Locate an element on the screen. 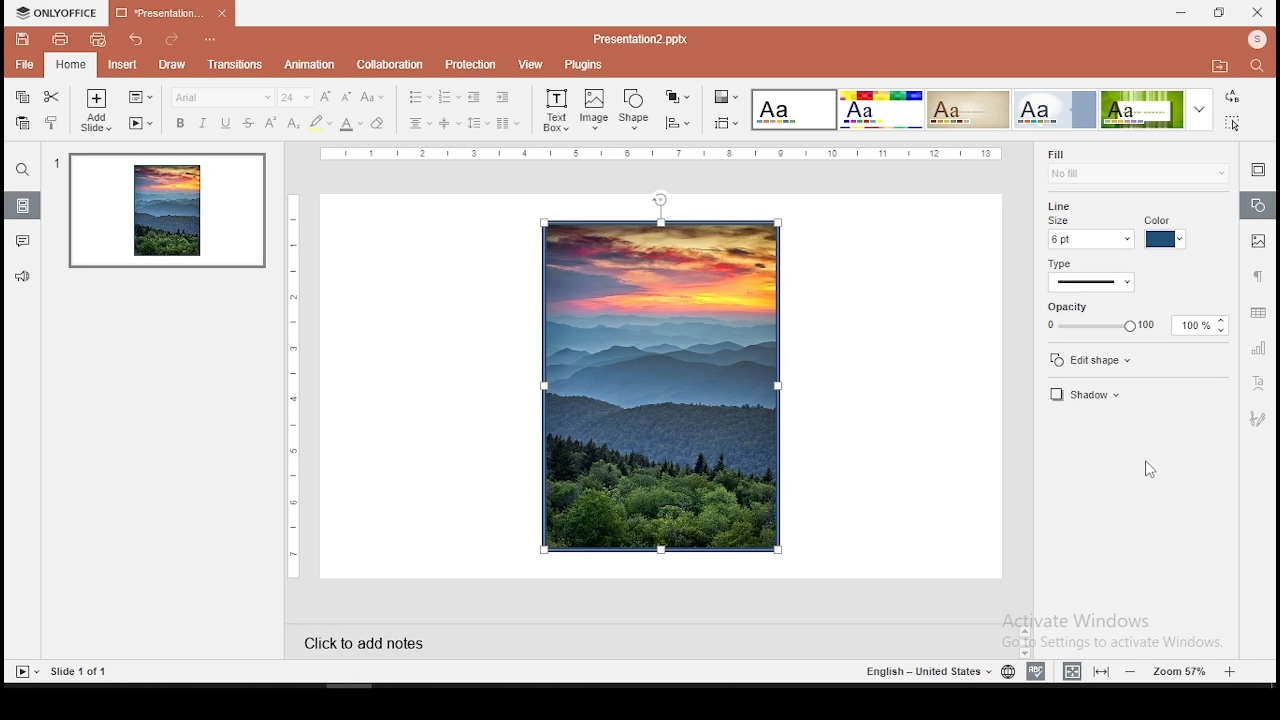 The width and height of the screenshot is (1280, 720). collaboration is located at coordinates (393, 65).